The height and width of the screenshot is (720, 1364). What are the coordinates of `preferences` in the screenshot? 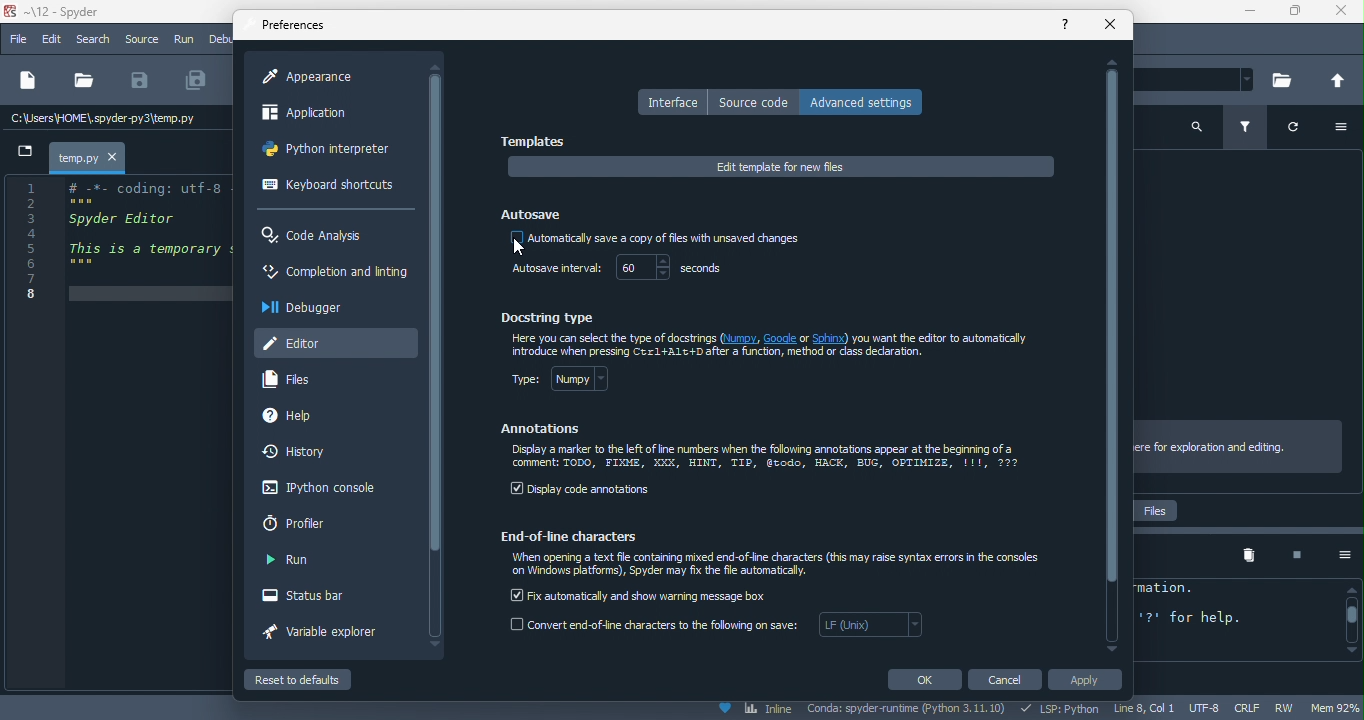 It's located at (296, 26).